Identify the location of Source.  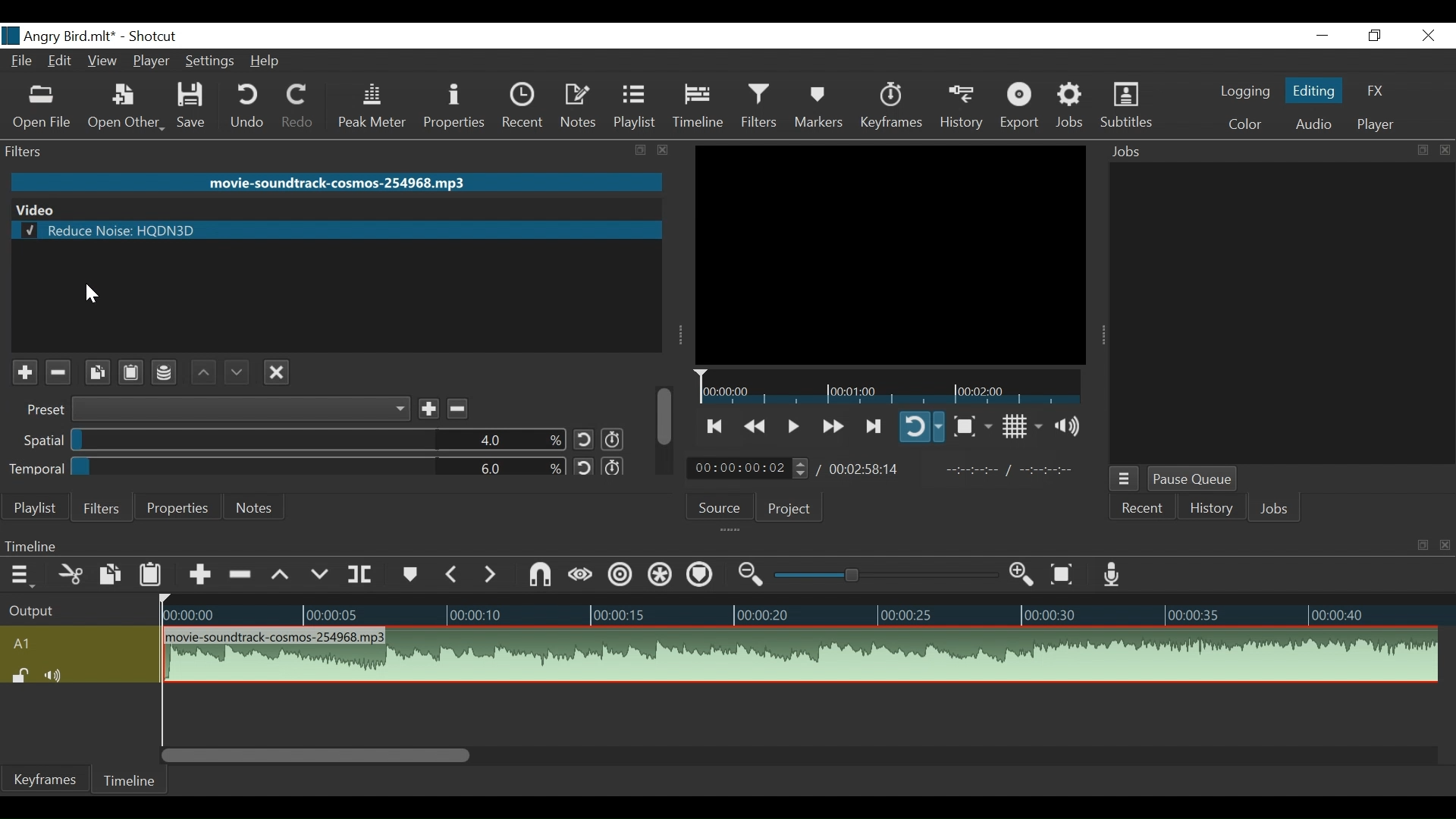
(722, 507).